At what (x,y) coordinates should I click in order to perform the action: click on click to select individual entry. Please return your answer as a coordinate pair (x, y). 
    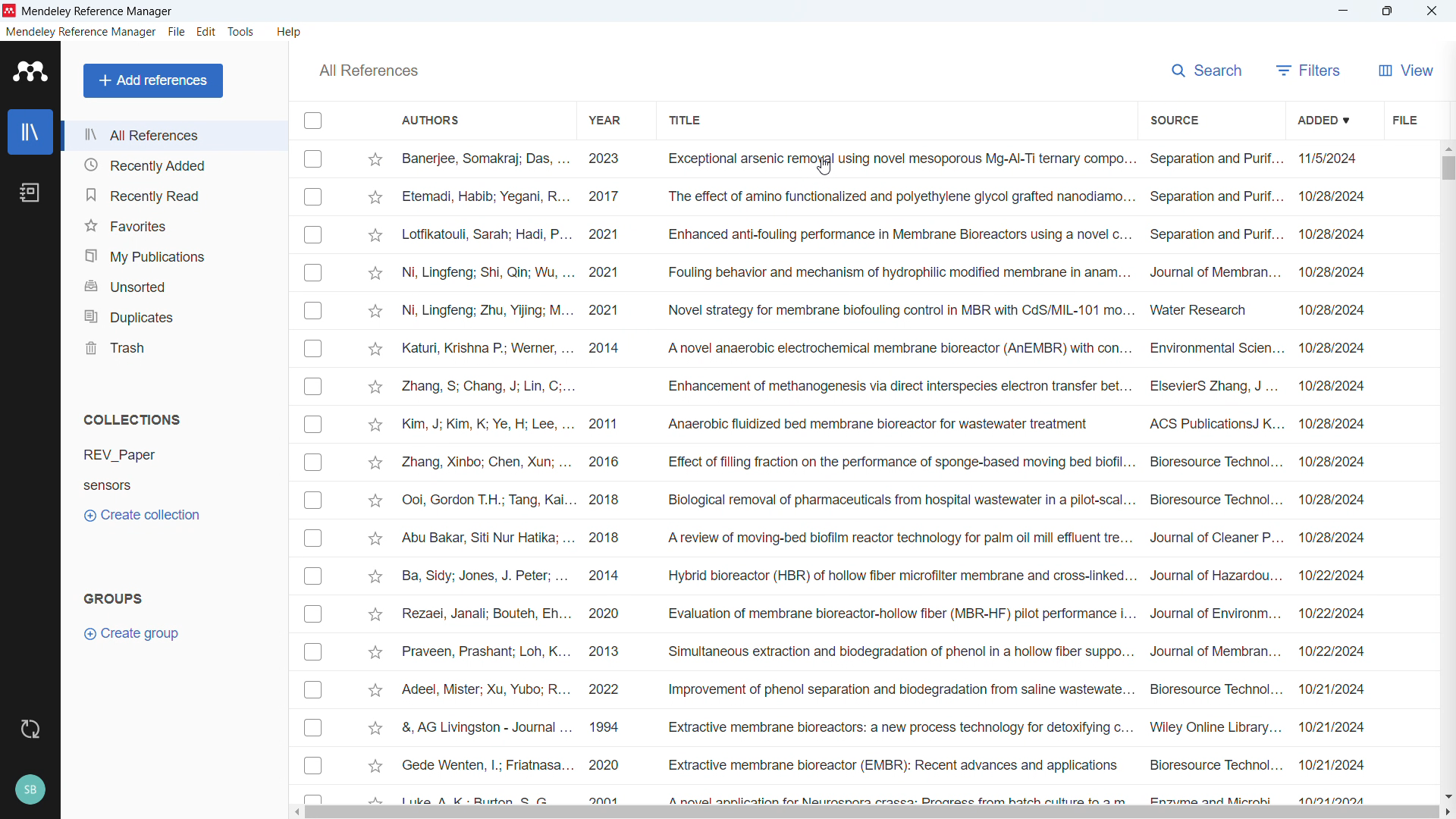
    Looking at the image, I should click on (312, 654).